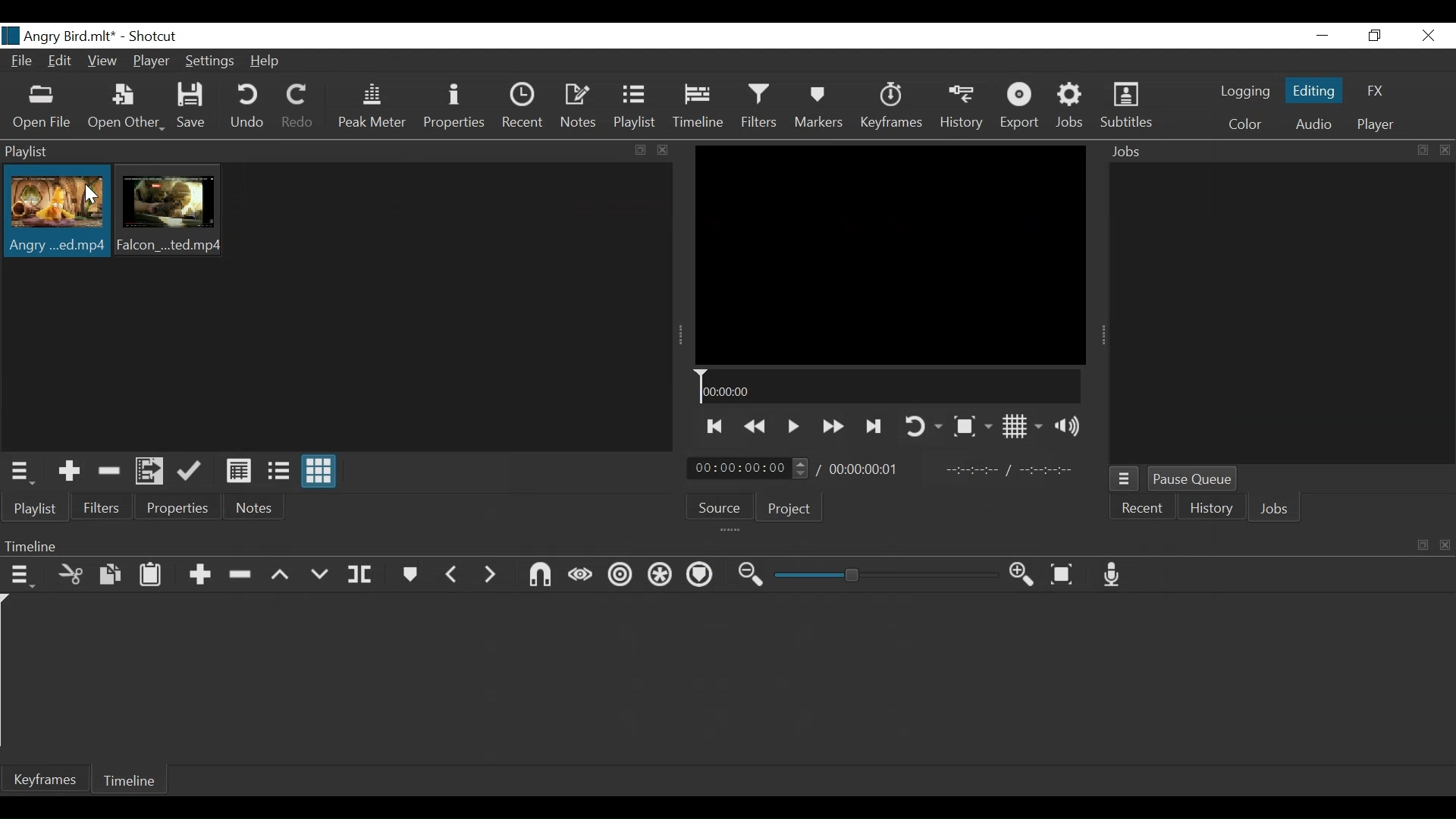 The width and height of the screenshot is (1456, 819). What do you see at coordinates (193, 471) in the screenshot?
I see `Update` at bounding box center [193, 471].